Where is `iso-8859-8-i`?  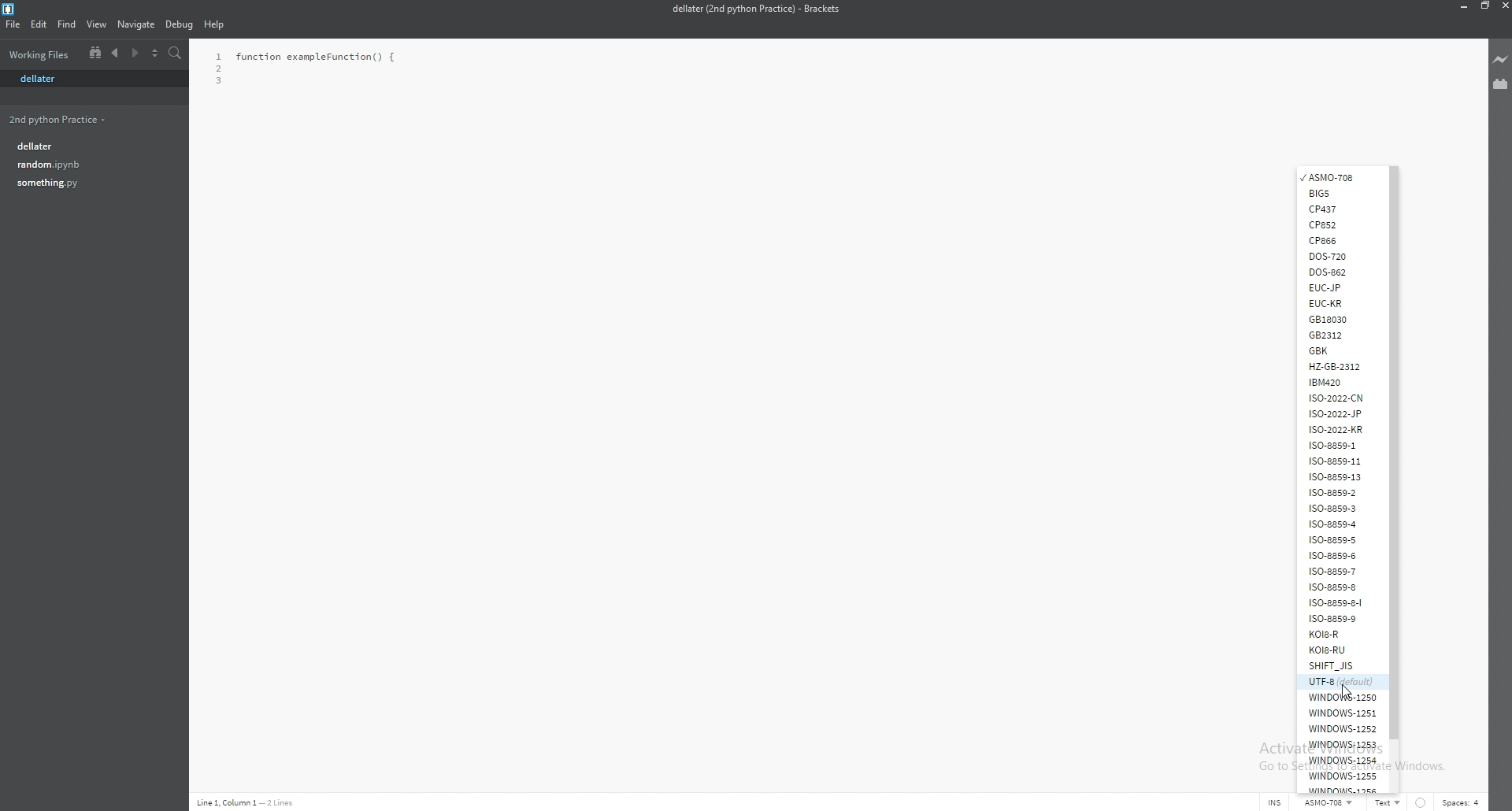
iso-8859-8-i is located at coordinates (1341, 602).